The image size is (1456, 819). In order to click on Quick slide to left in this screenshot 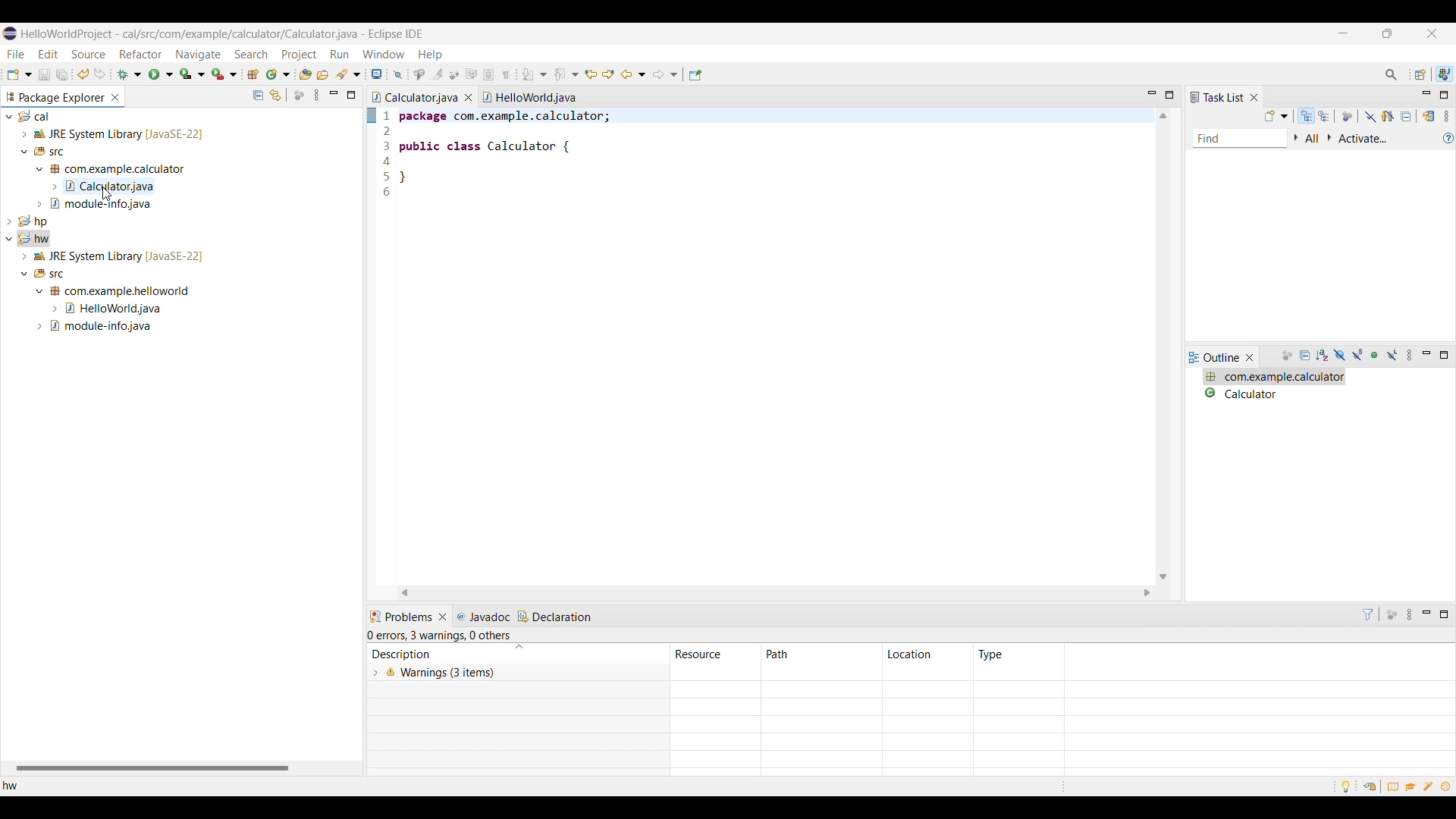, I will do `click(404, 593)`.